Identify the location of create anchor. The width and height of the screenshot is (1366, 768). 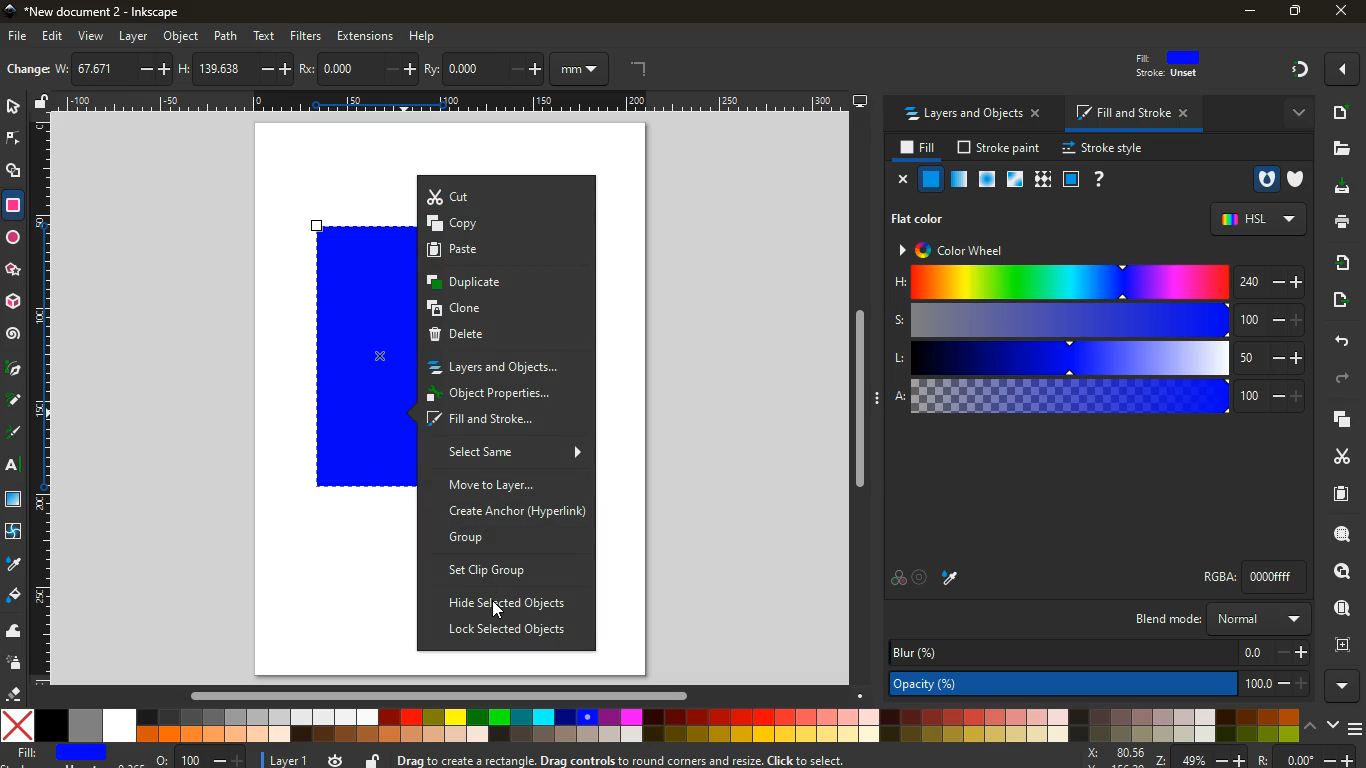
(515, 510).